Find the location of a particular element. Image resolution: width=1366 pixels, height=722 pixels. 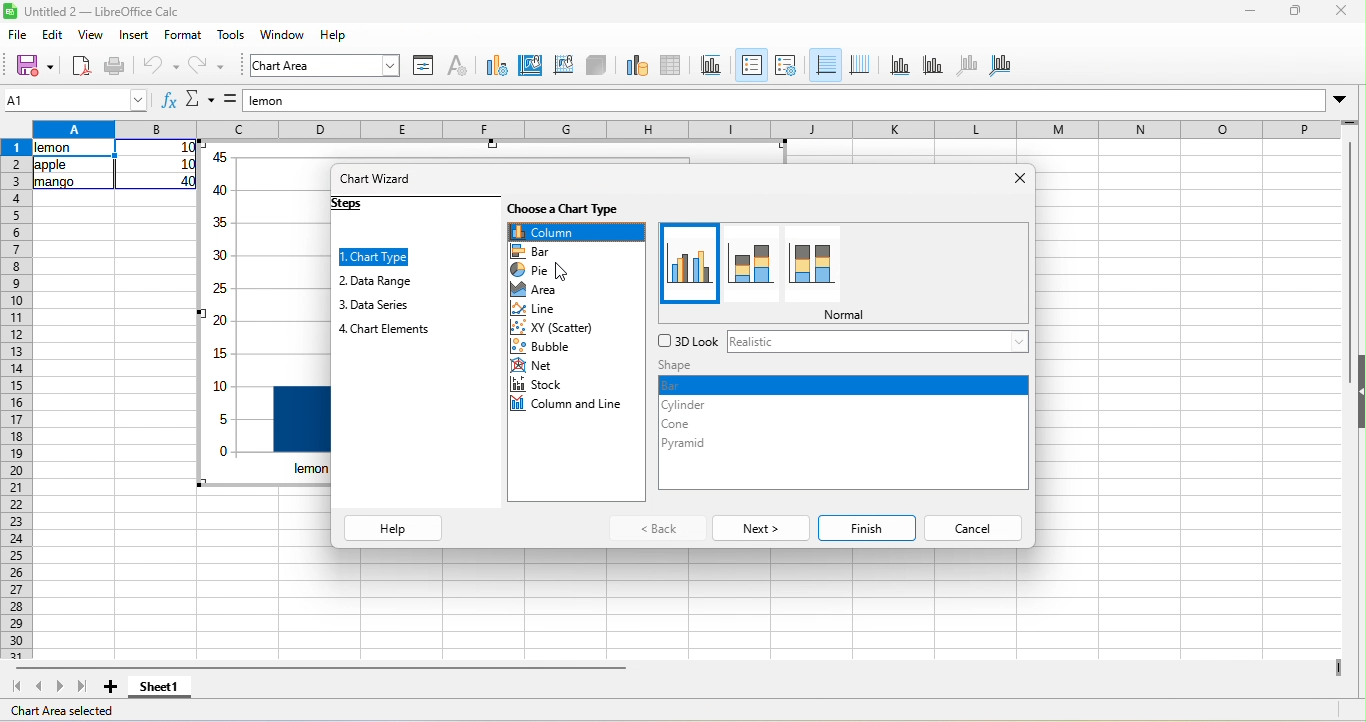

back is located at coordinates (654, 529).